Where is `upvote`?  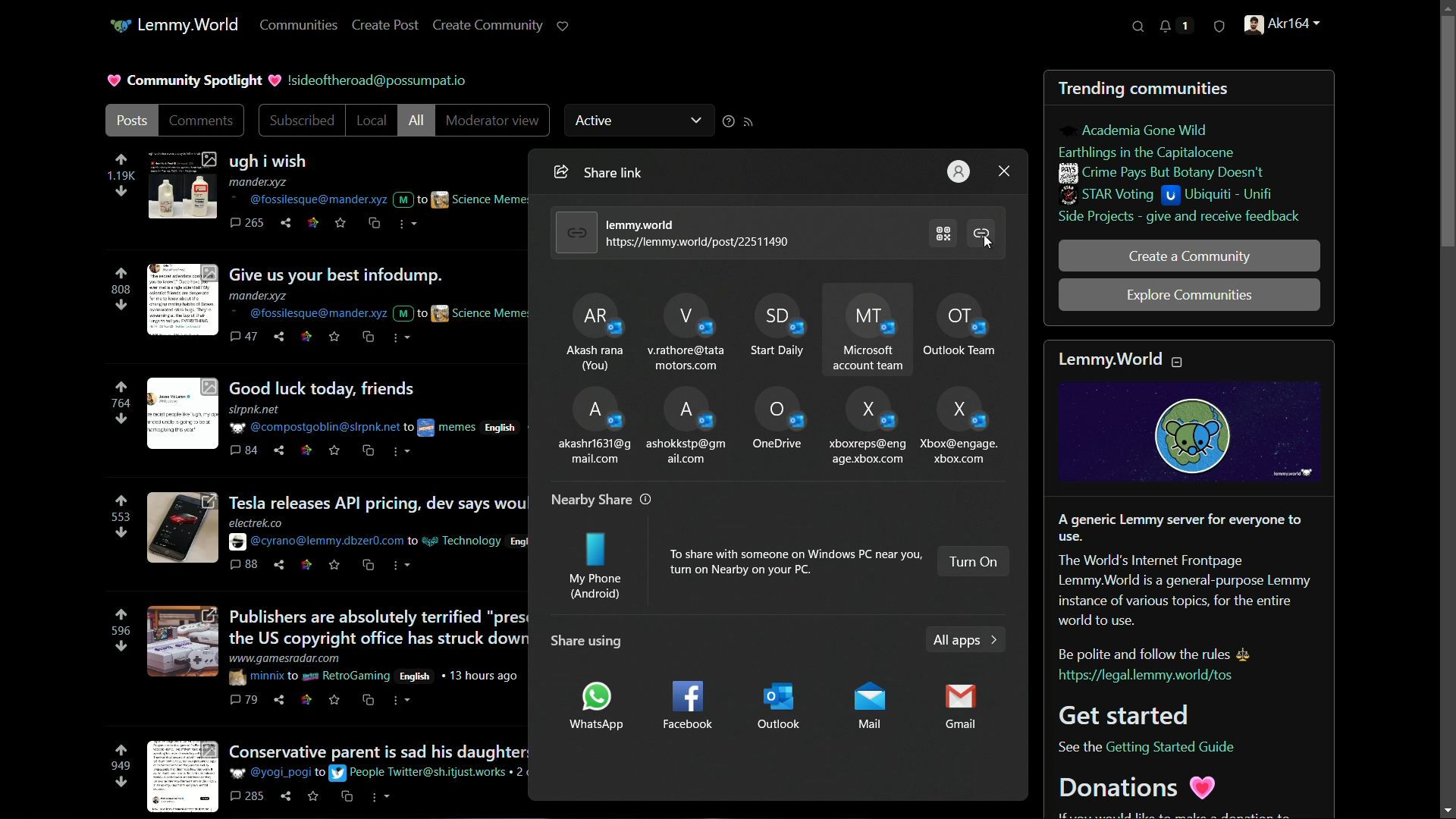
upvote is located at coordinates (122, 614).